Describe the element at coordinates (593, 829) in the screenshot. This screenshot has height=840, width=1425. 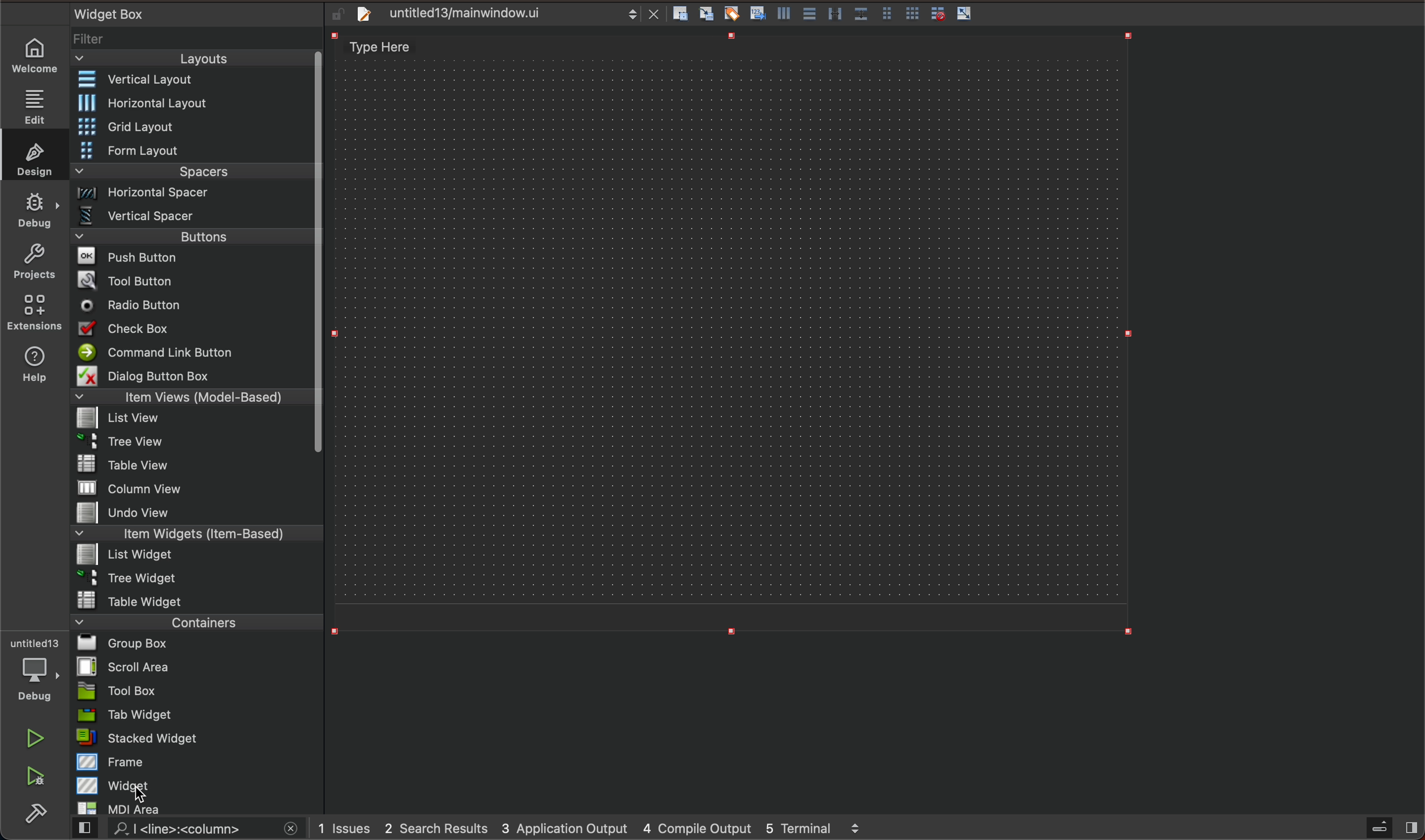
I see `logs` at that location.